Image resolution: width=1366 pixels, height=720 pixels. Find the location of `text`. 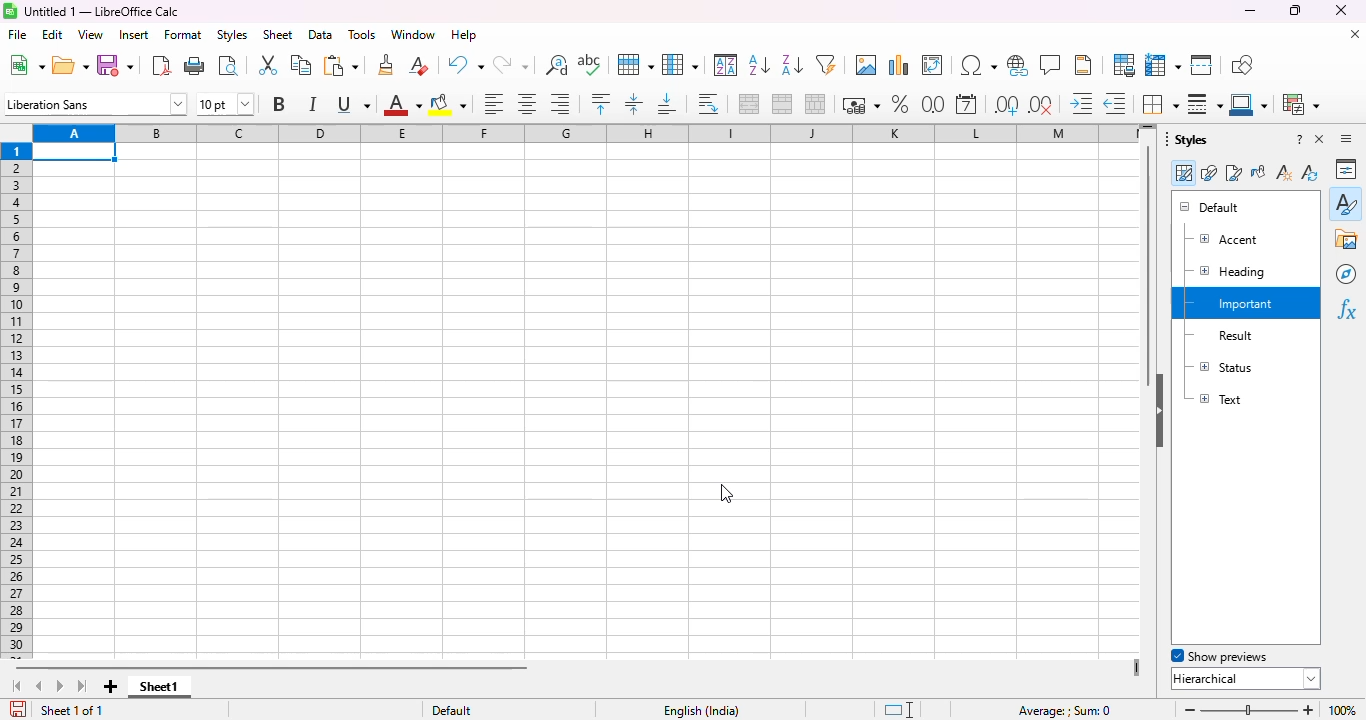

text is located at coordinates (1223, 399).